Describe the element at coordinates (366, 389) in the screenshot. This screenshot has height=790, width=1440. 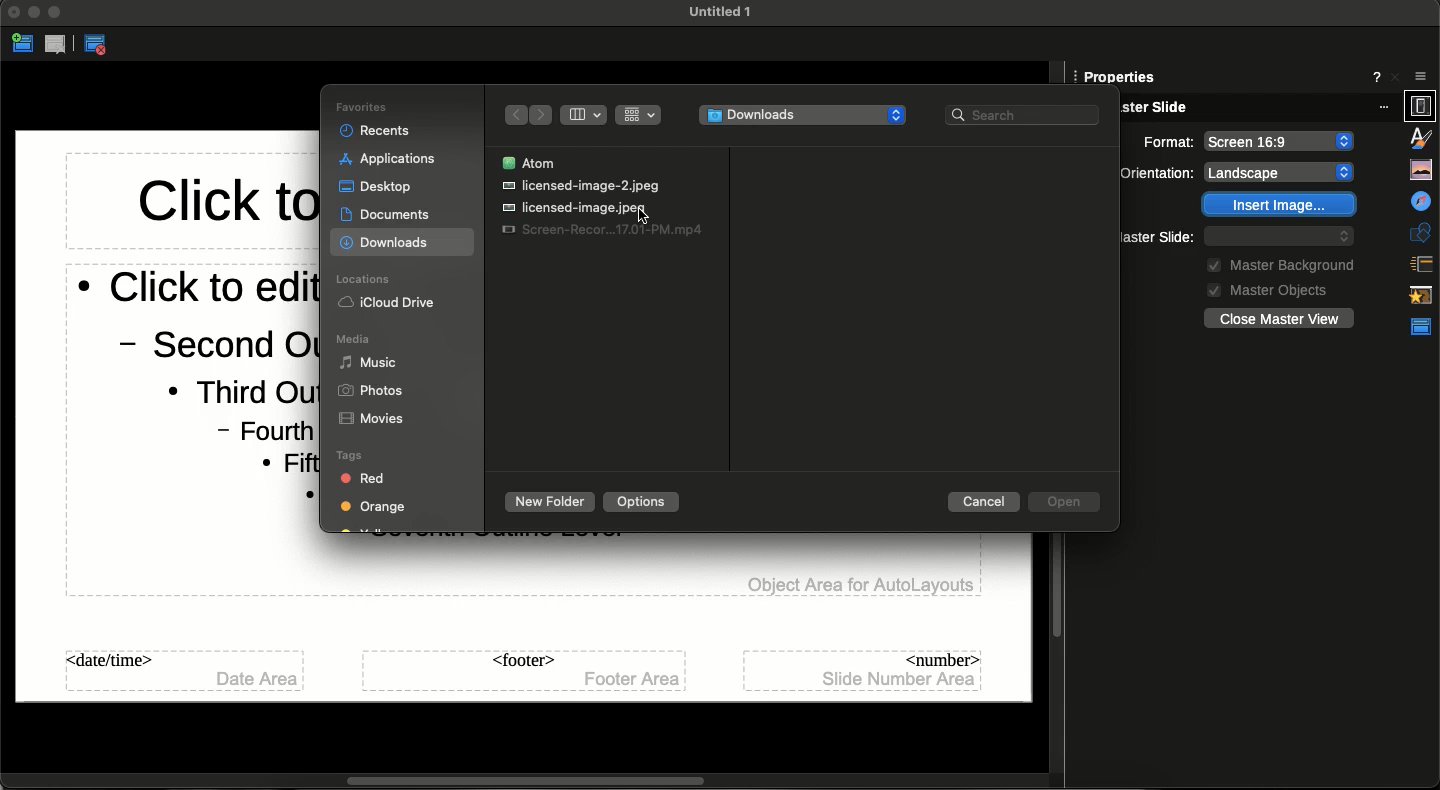
I see `Photos` at that location.